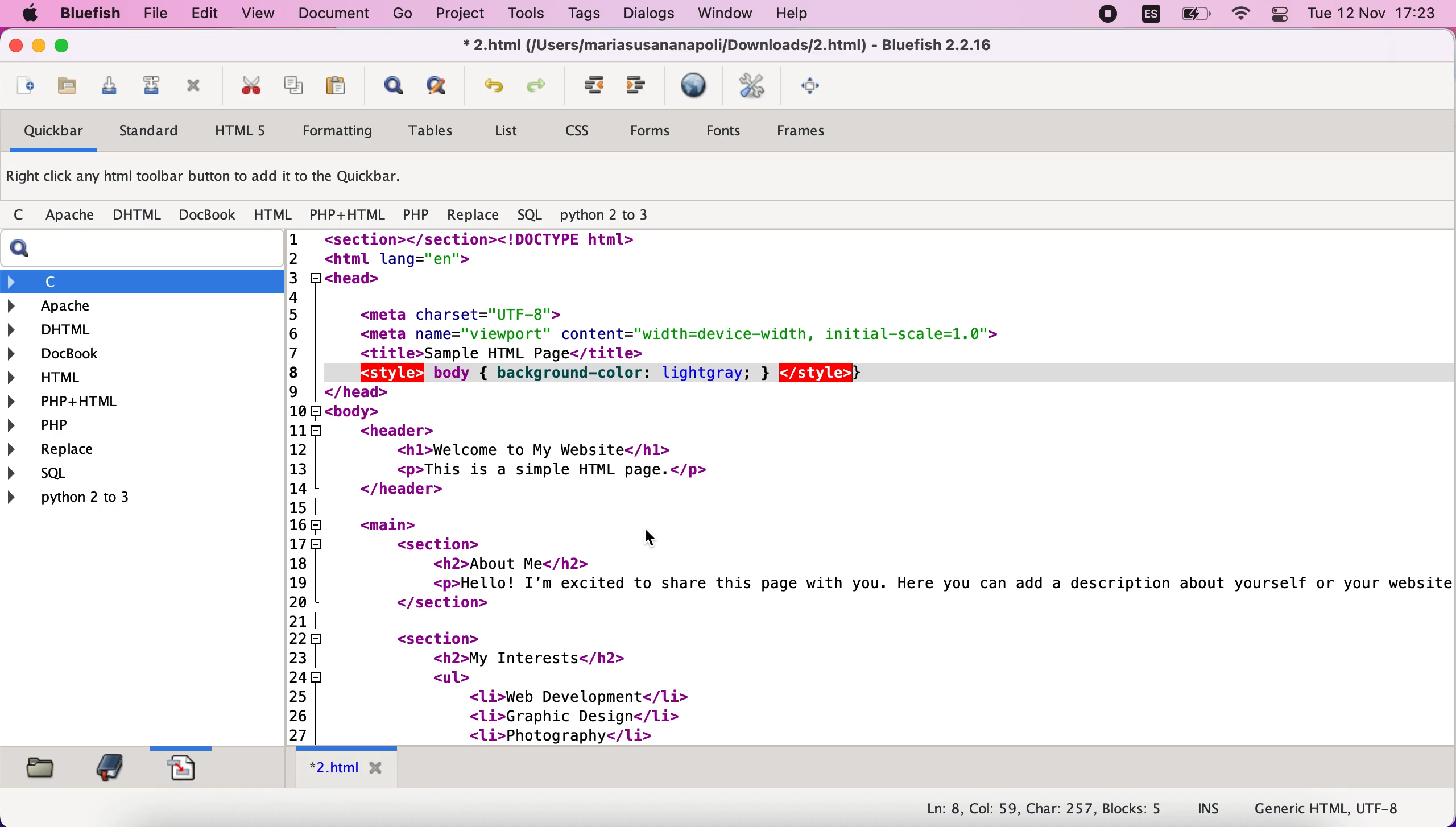 Image resolution: width=1456 pixels, height=827 pixels. I want to click on go, so click(399, 15).